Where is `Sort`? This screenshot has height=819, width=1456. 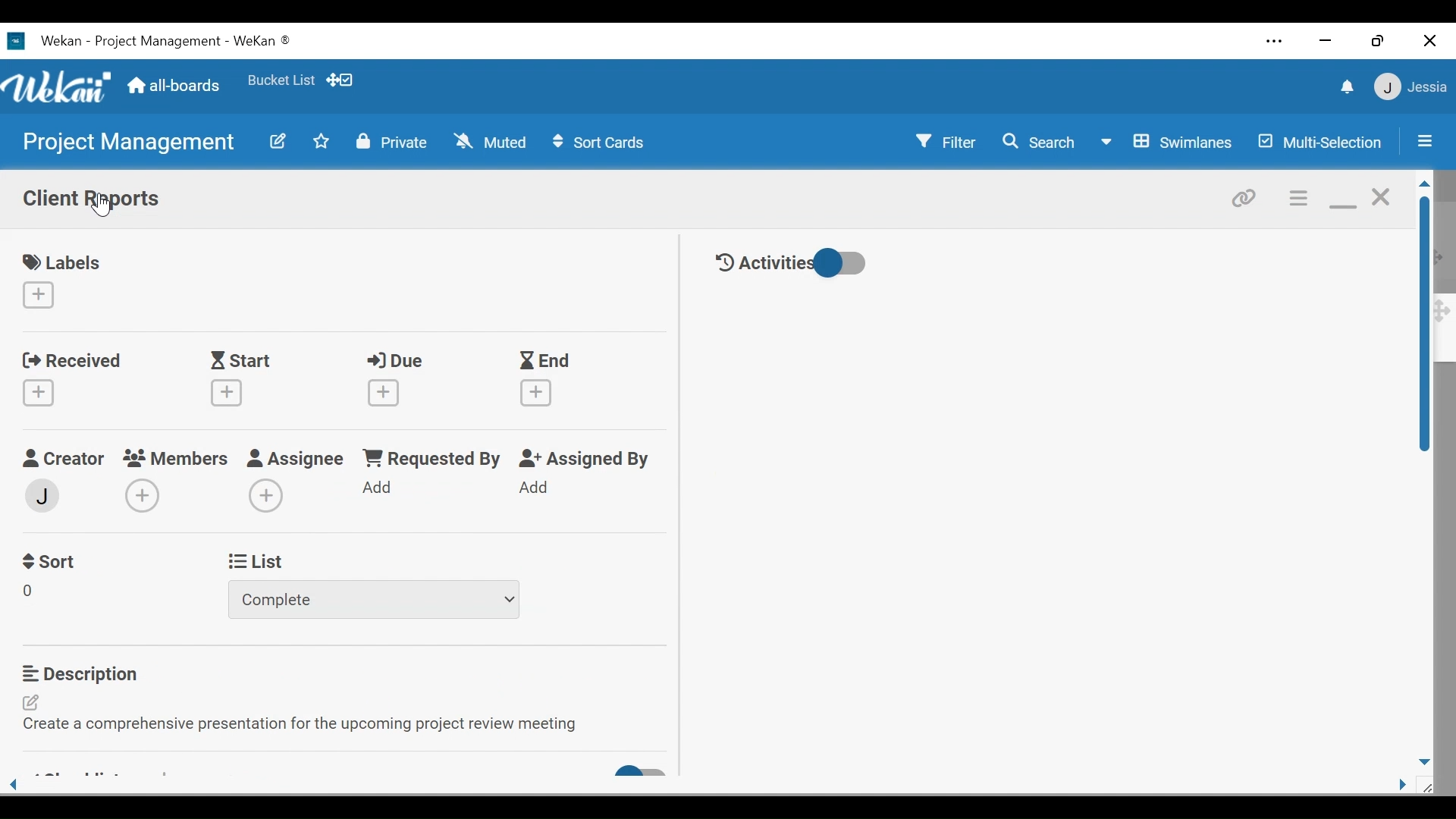
Sort is located at coordinates (51, 560).